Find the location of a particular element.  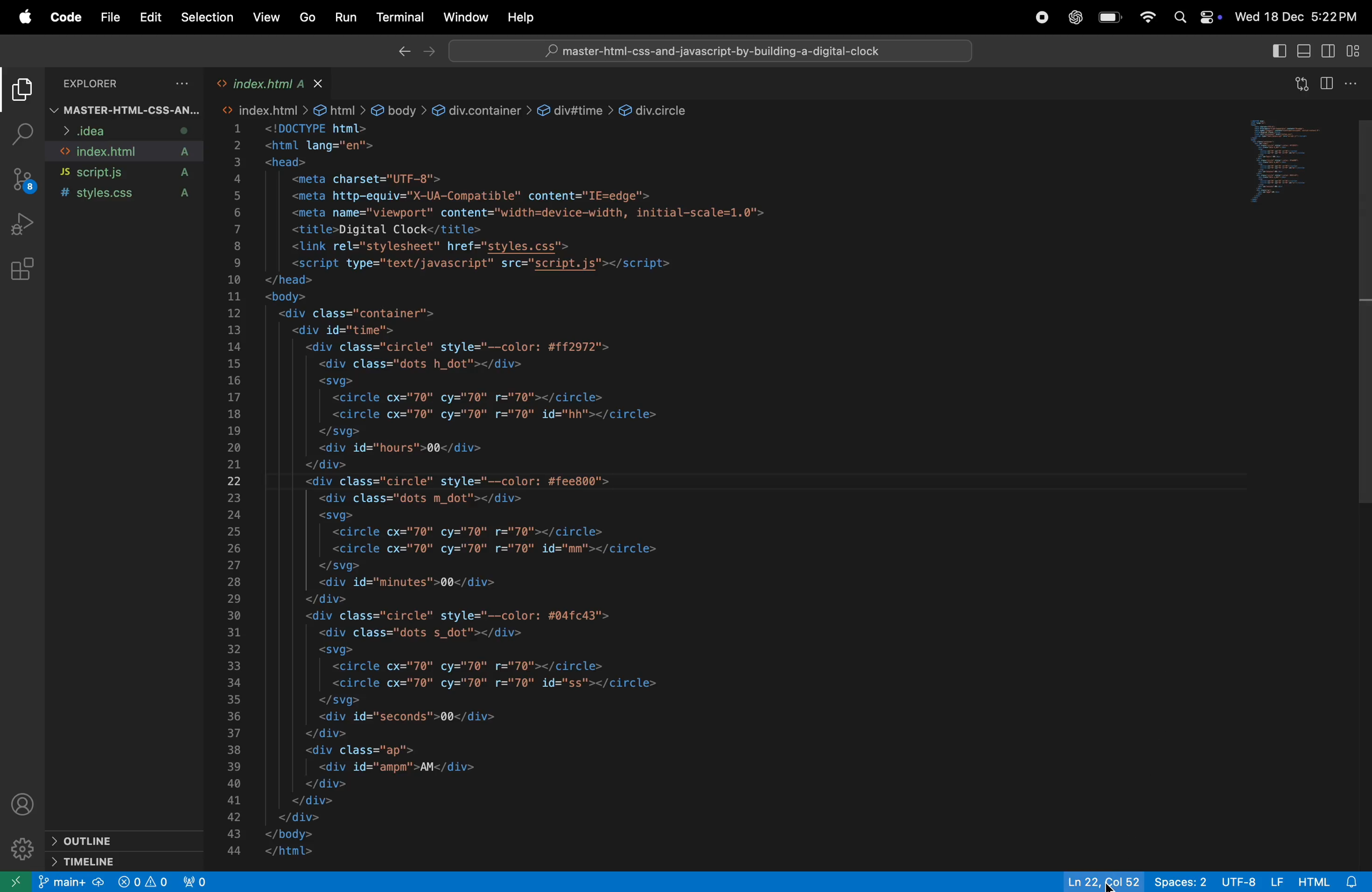

no problem is located at coordinates (142, 882).